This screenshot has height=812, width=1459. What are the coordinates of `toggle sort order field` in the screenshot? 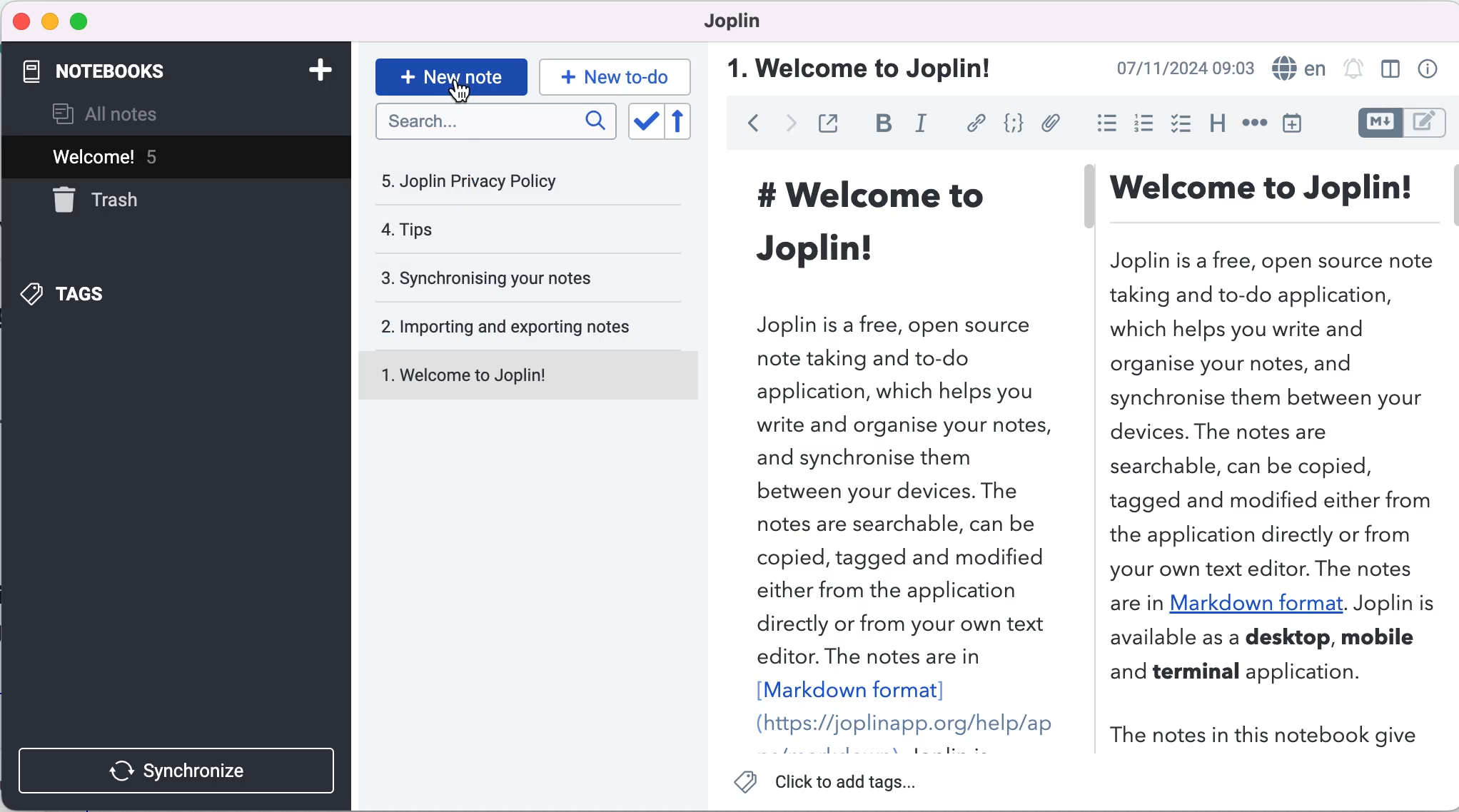 It's located at (642, 121).